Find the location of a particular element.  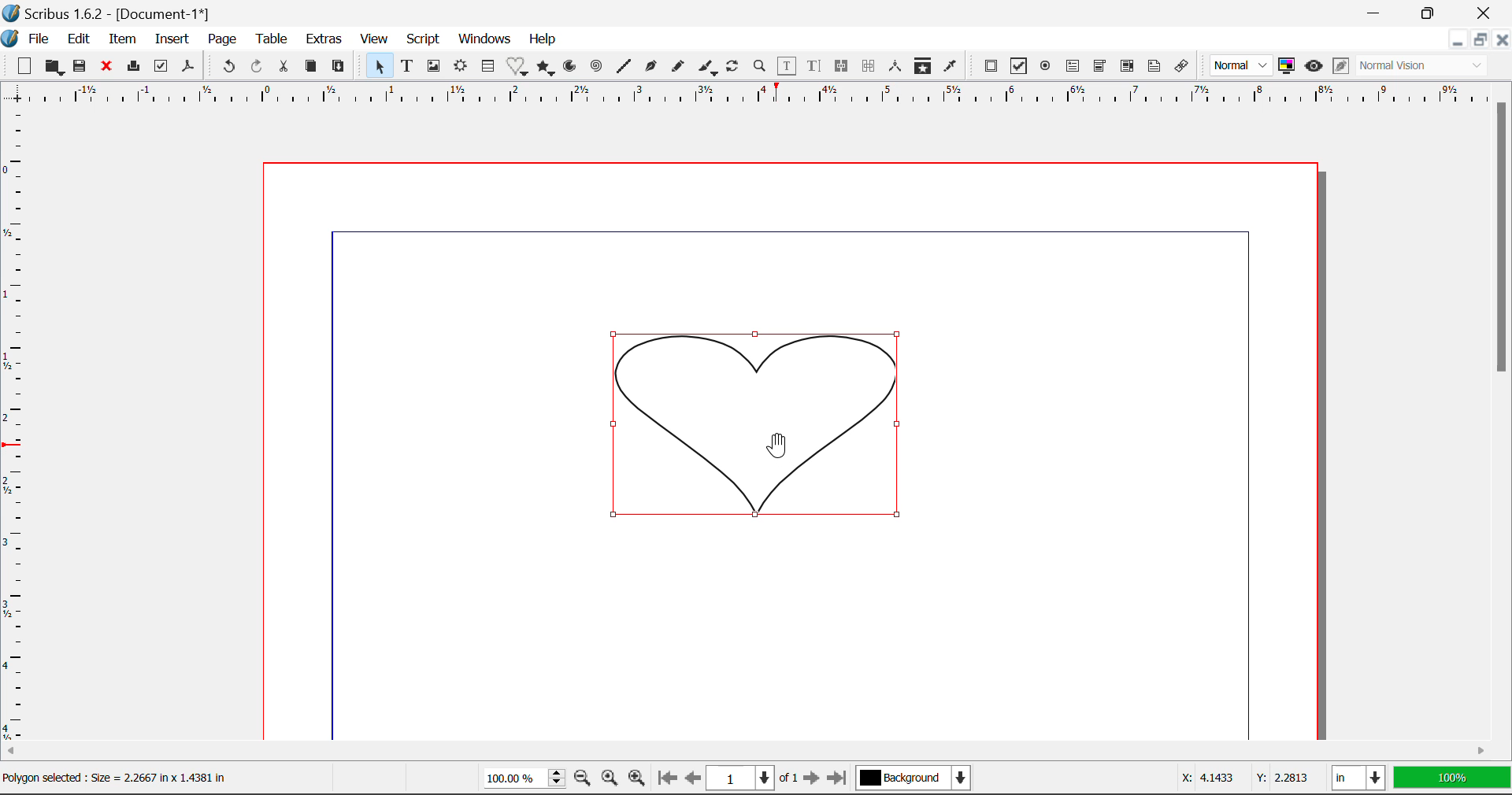

Page is located at coordinates (224, 39).